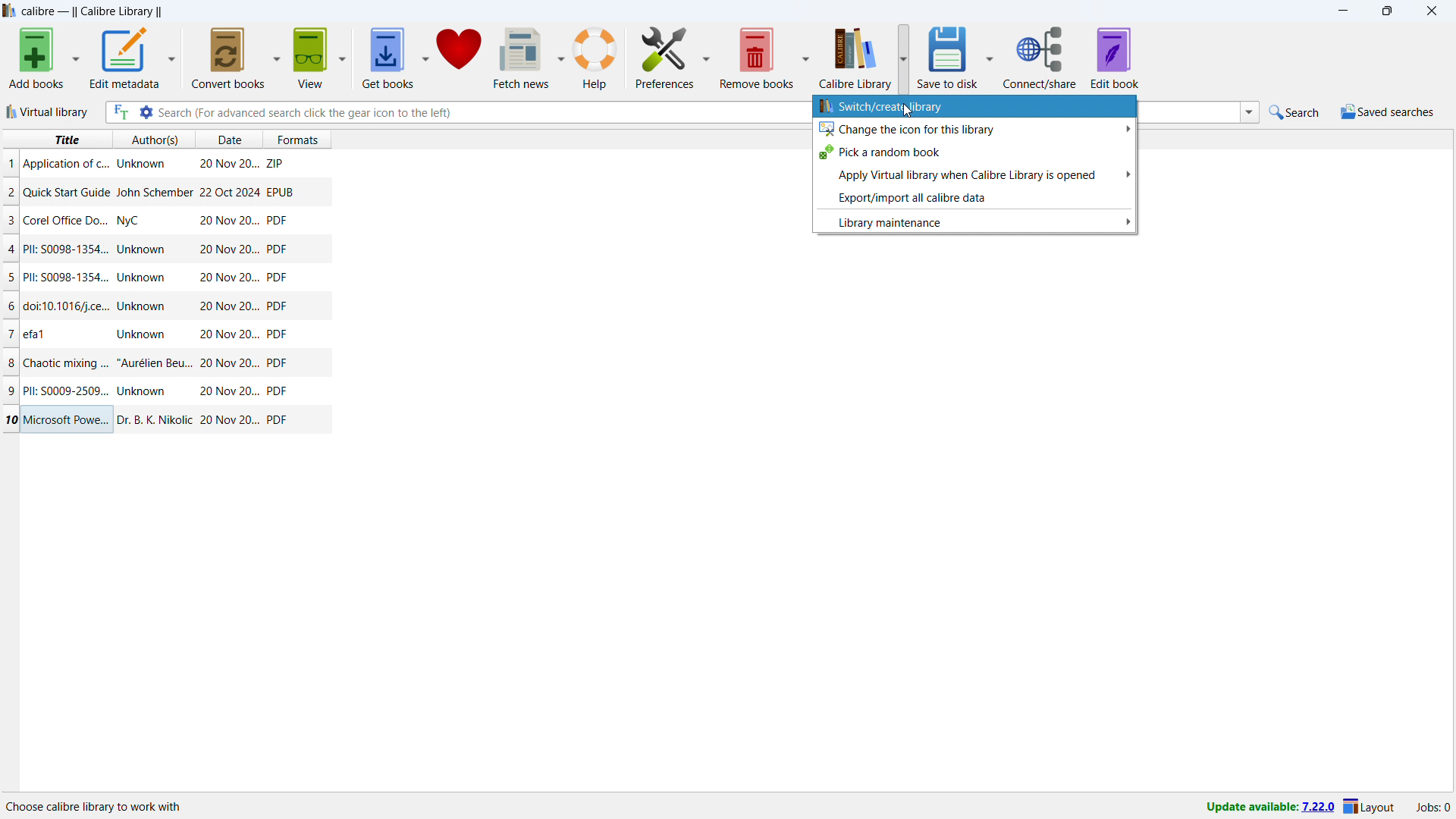  I want to click on EPUB, so click(280, 191).